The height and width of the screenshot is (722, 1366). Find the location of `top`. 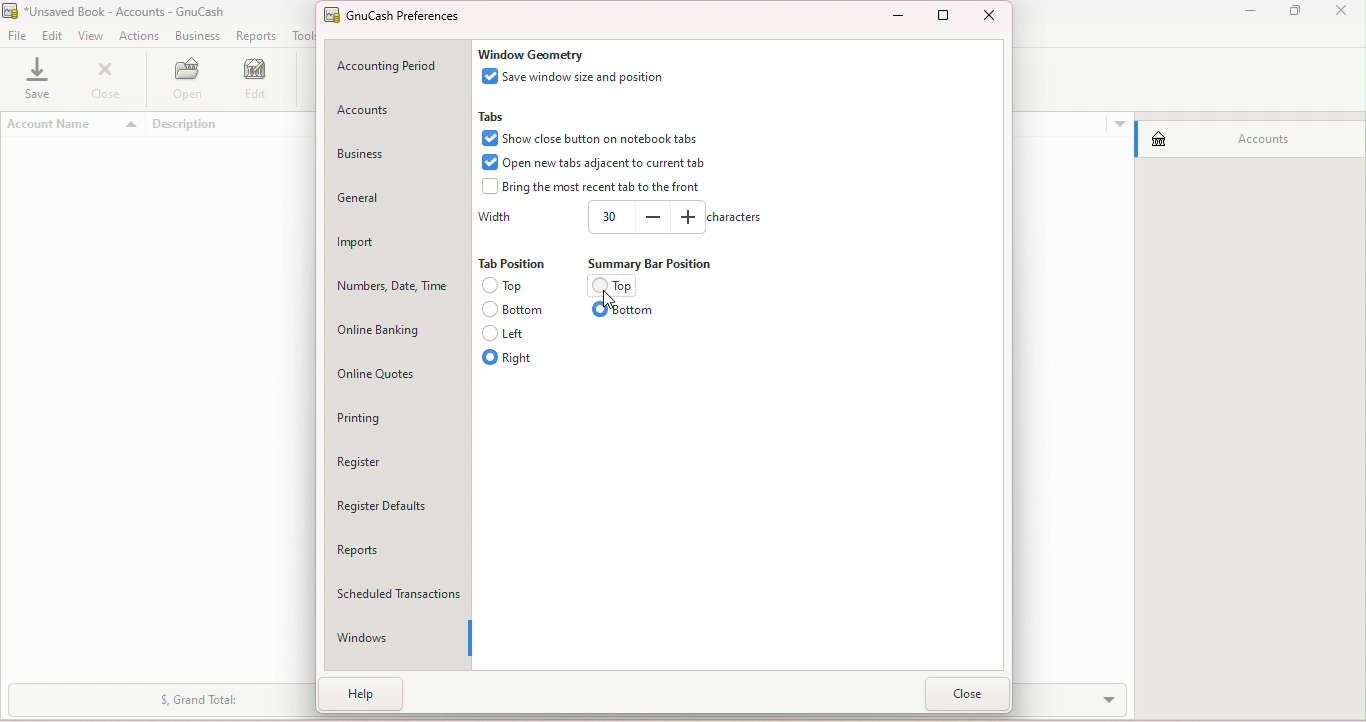

top is located at coordinates (516, 285).